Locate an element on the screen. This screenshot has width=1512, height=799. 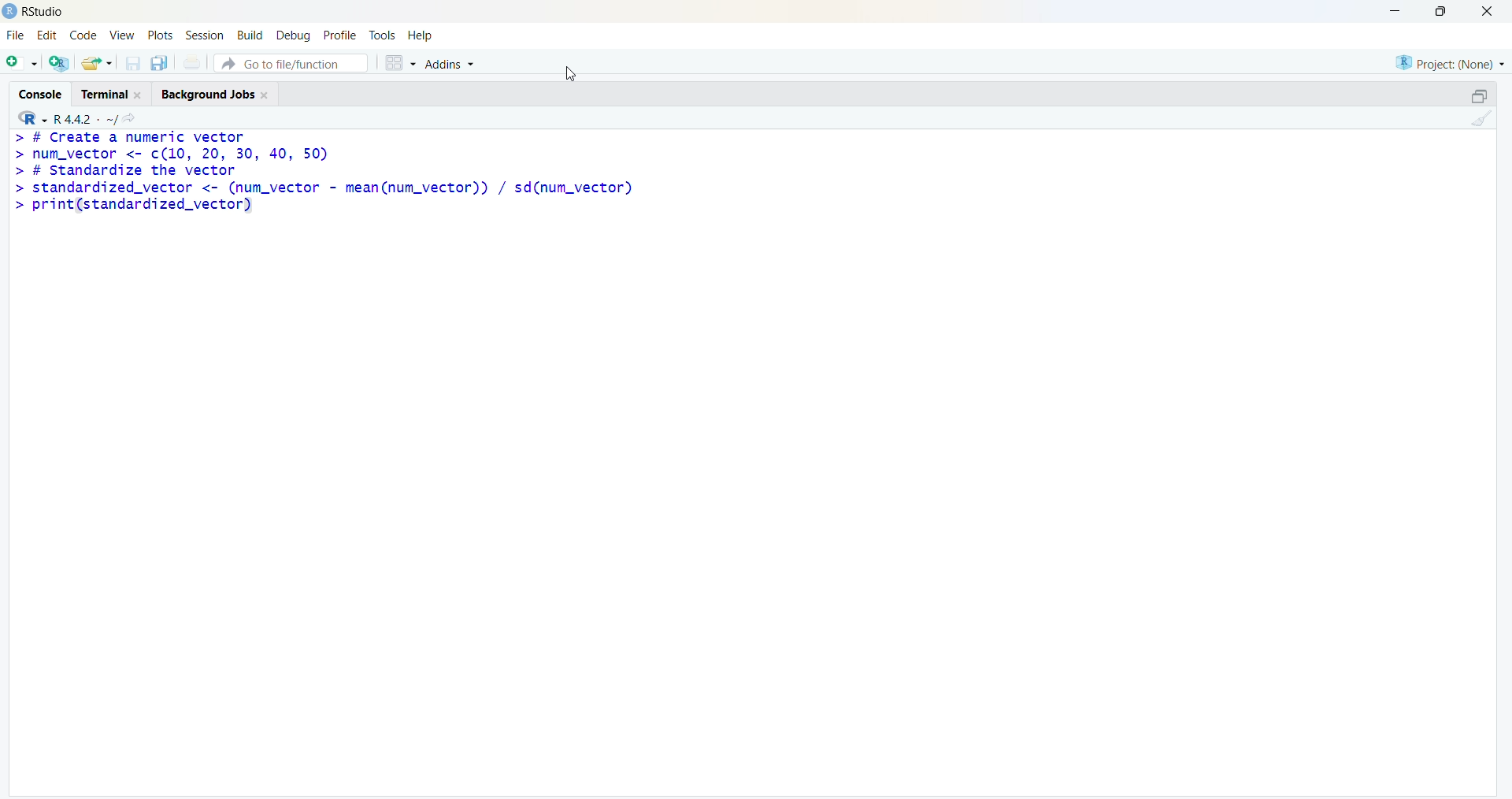
terminal is located at coordinates (106, 95).